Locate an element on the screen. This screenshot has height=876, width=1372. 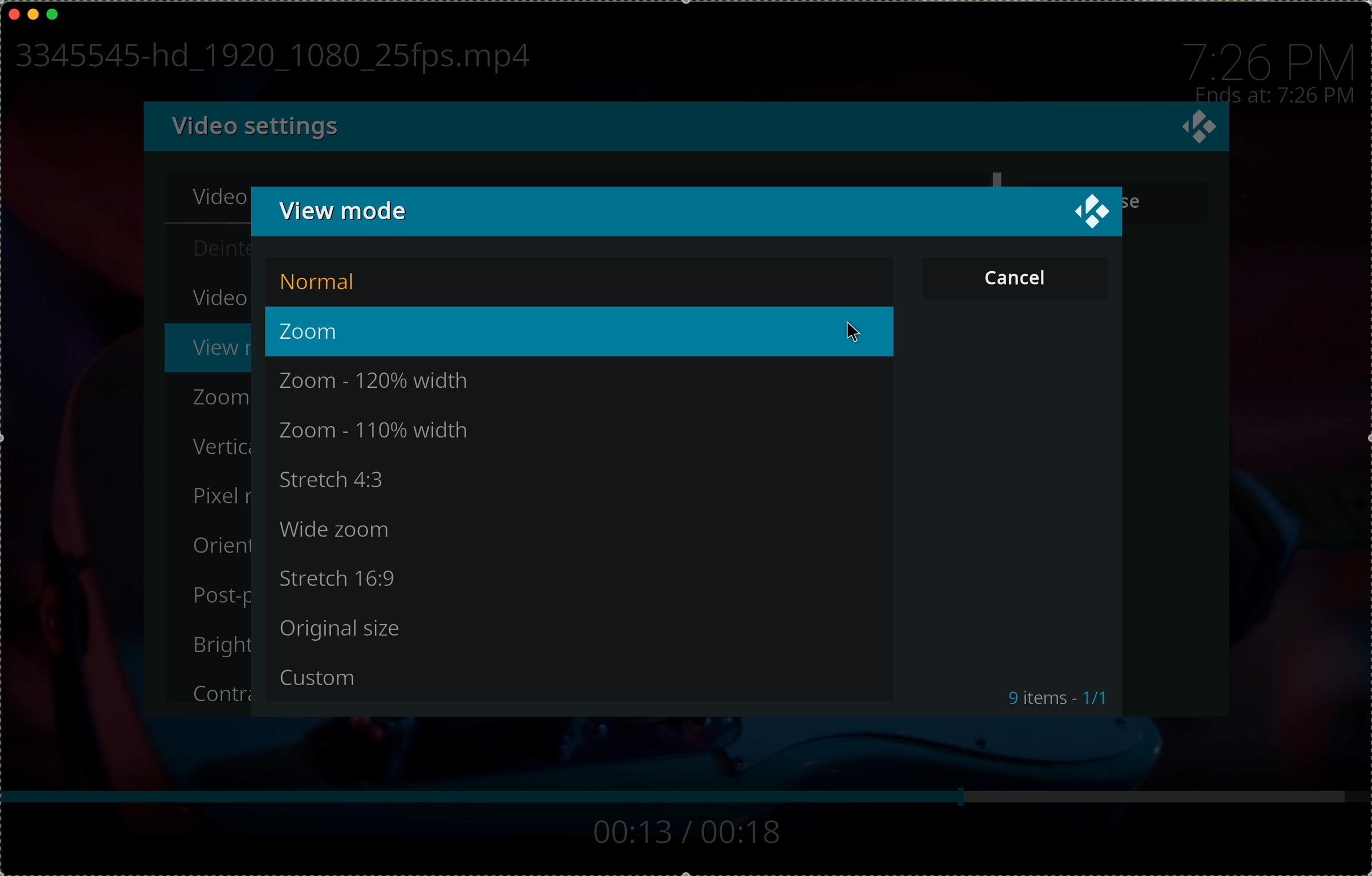
stretch 16:9 is located at coordinates (338, 580).